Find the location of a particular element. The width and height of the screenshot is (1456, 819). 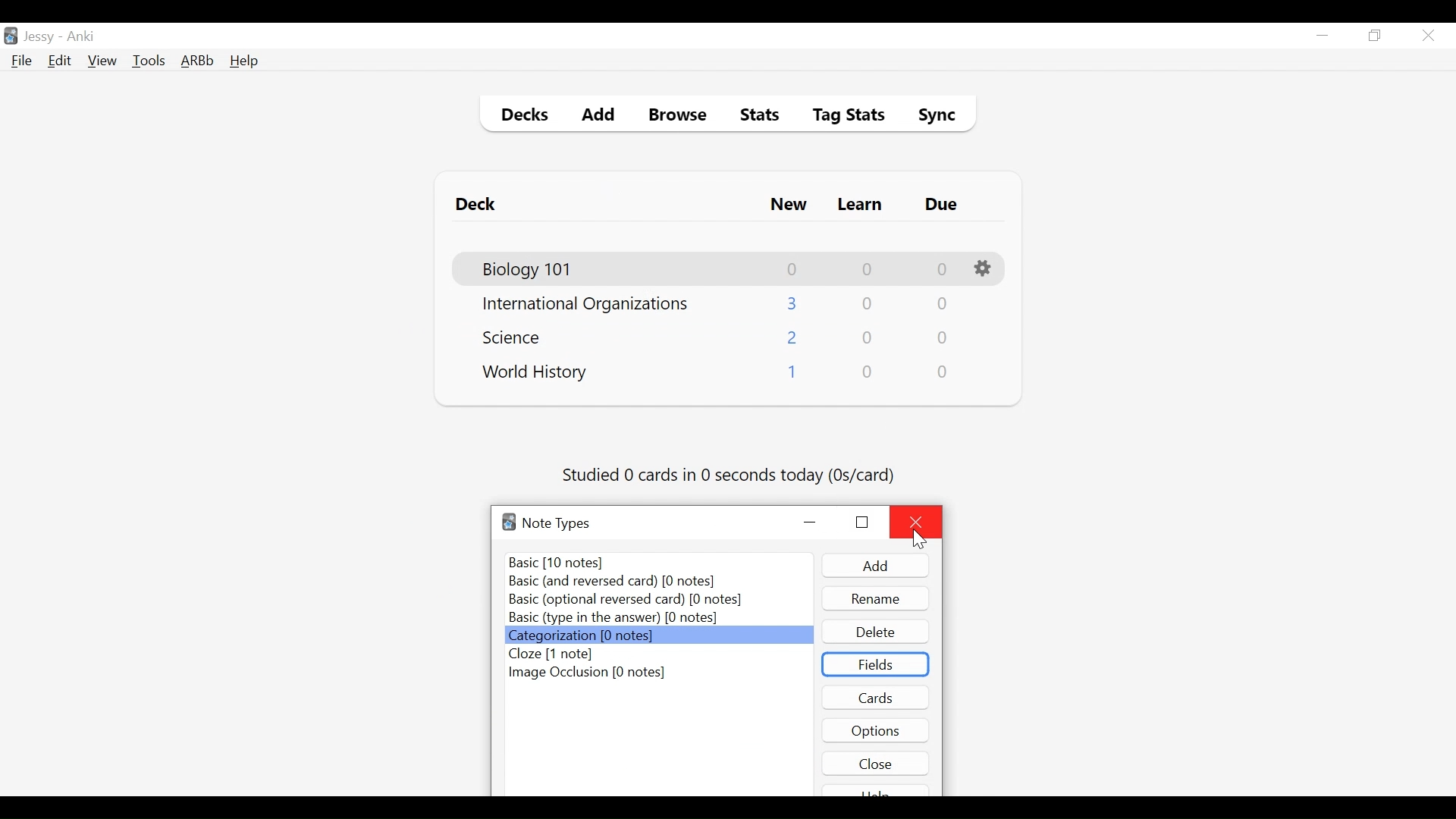

Options is located at coordinates (985, 269).